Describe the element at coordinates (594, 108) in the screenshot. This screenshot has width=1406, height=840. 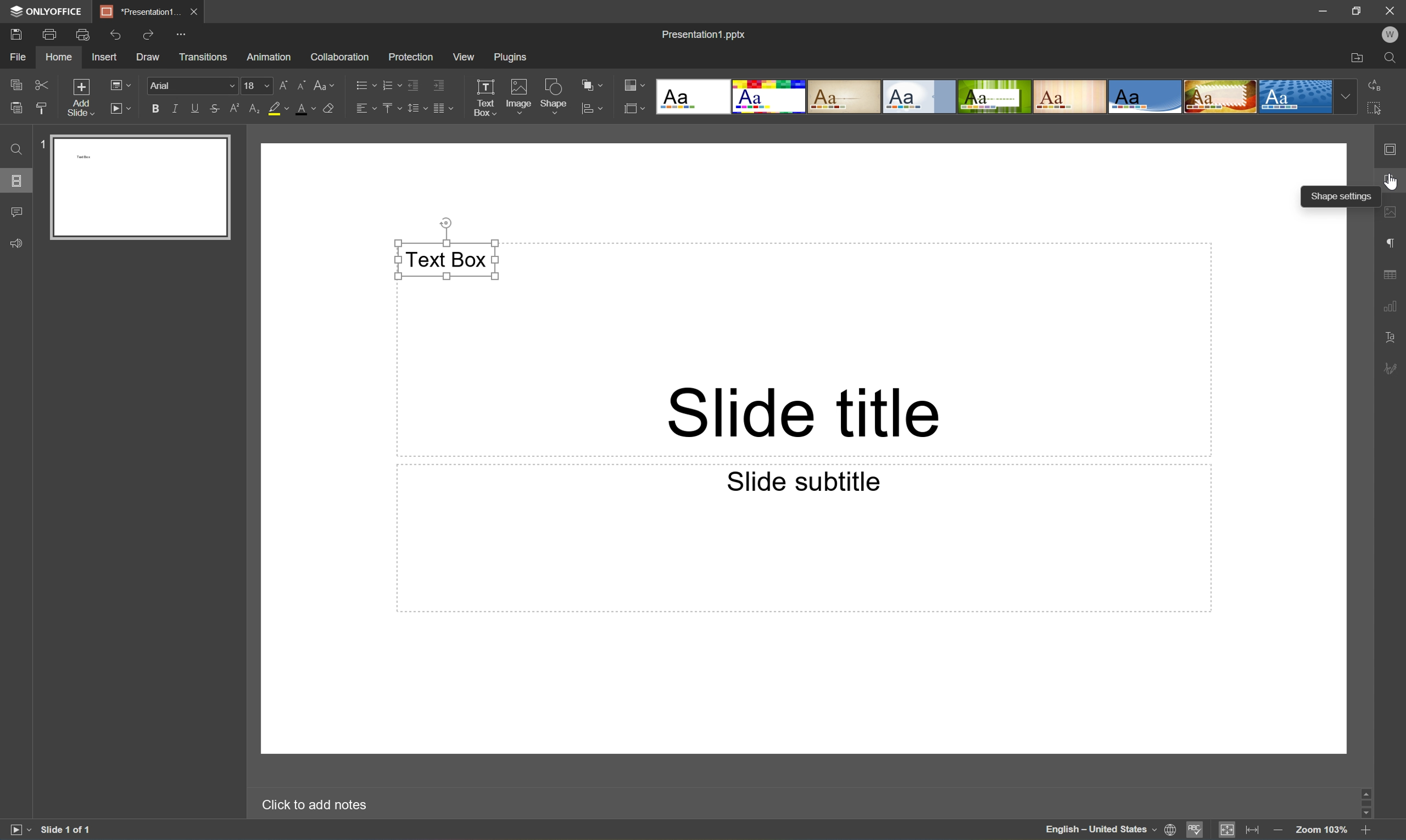
I see `Align shape` at that location.